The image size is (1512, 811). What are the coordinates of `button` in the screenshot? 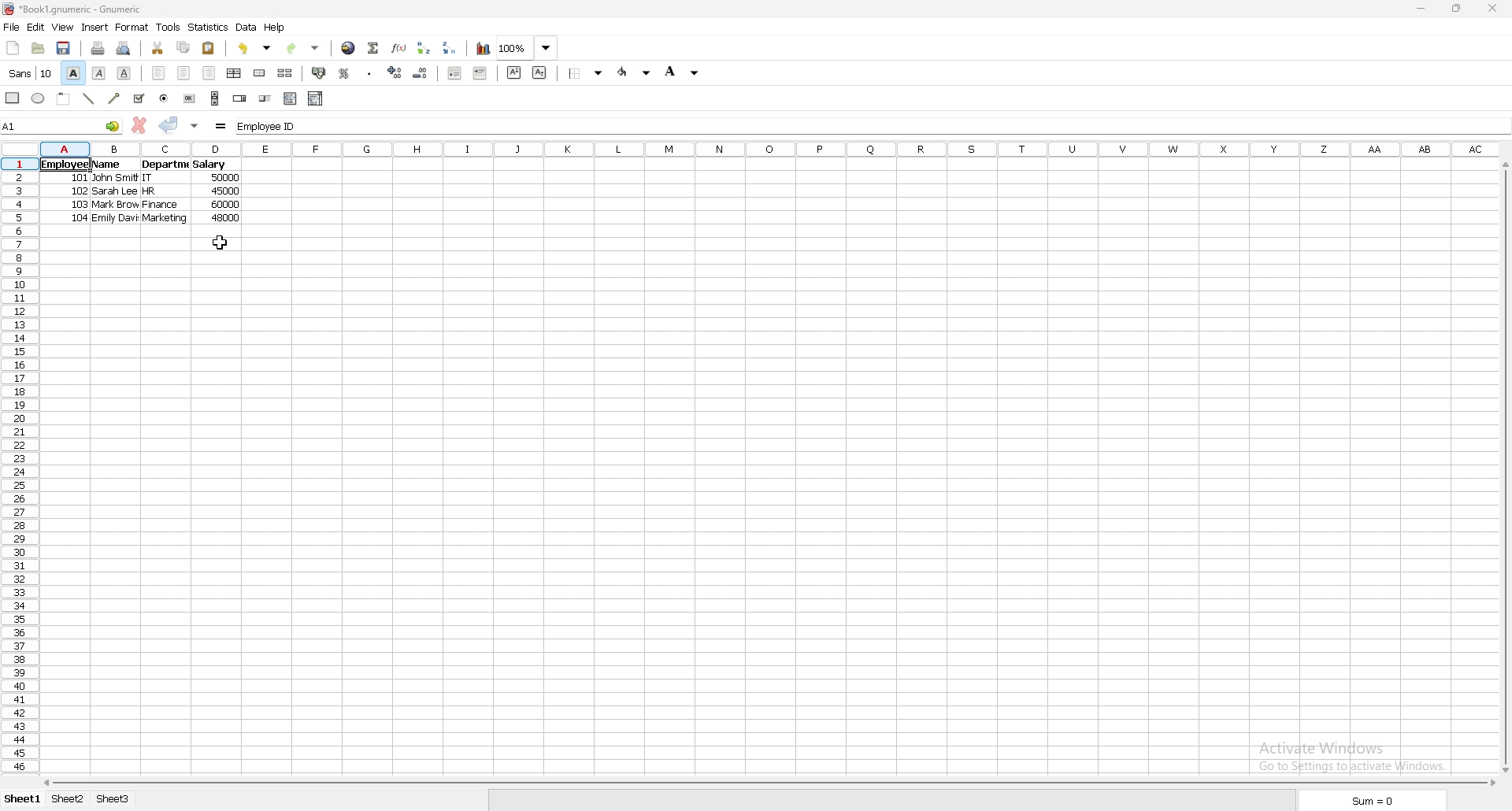 It's located at (191, 98).